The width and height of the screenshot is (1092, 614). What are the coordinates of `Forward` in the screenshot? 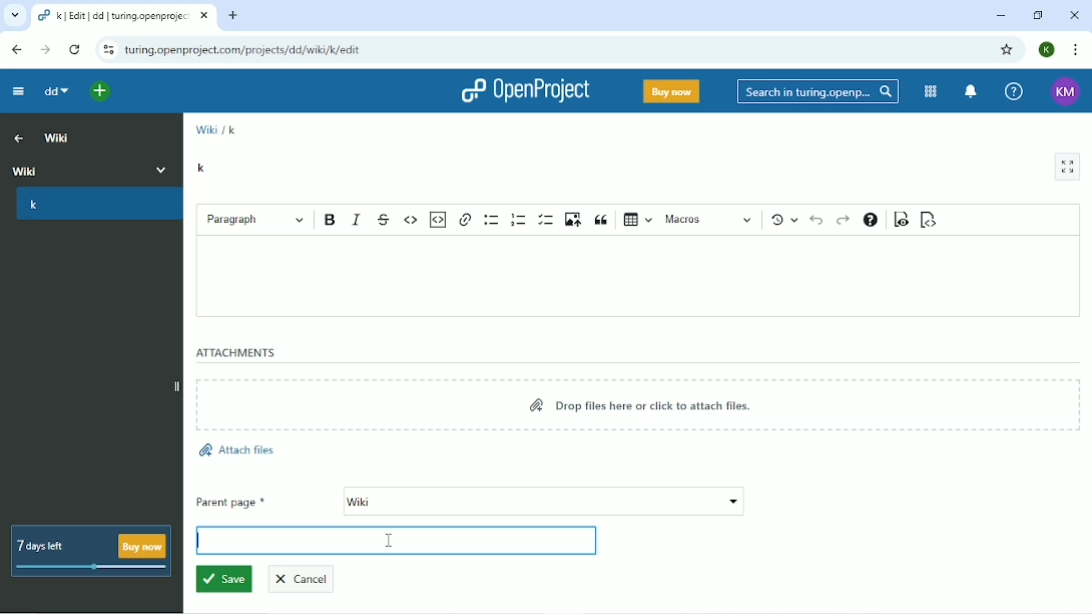 It's located at (46, 49).